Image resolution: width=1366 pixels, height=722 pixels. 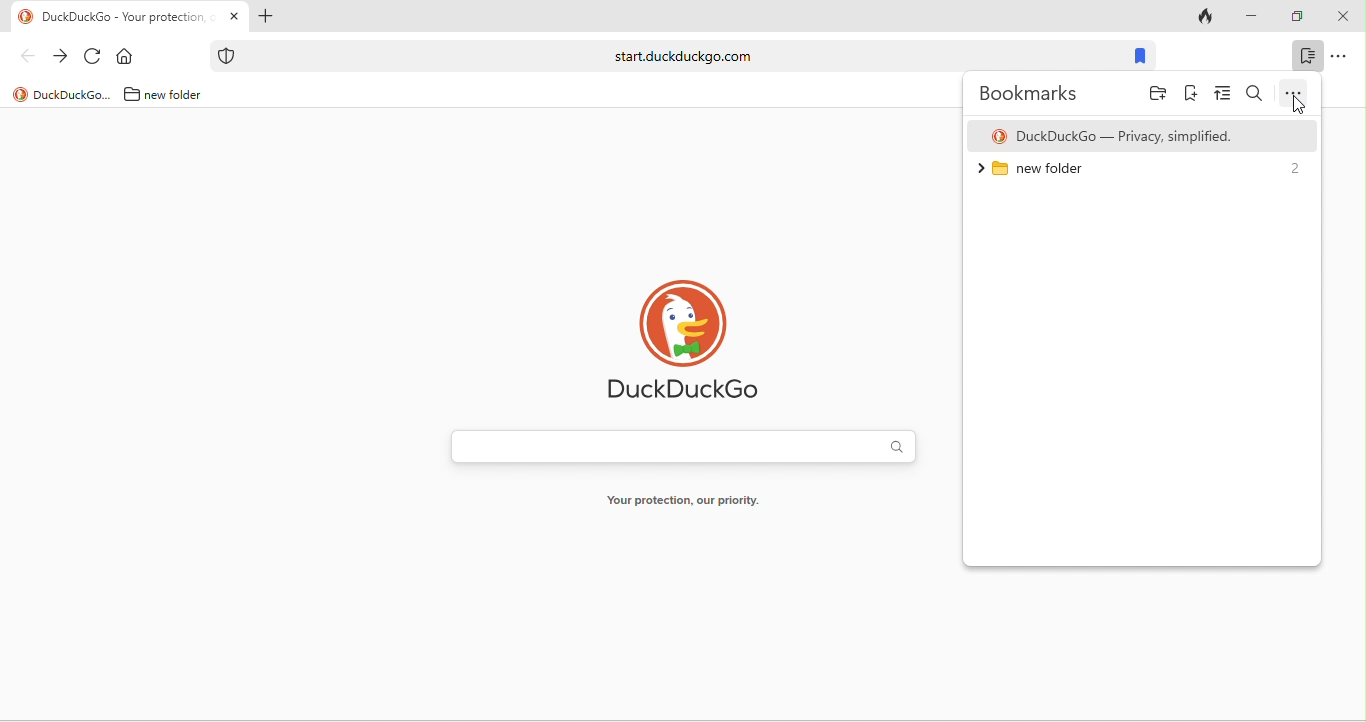 I want to click on bookmark, so click(x=1191, y=96).